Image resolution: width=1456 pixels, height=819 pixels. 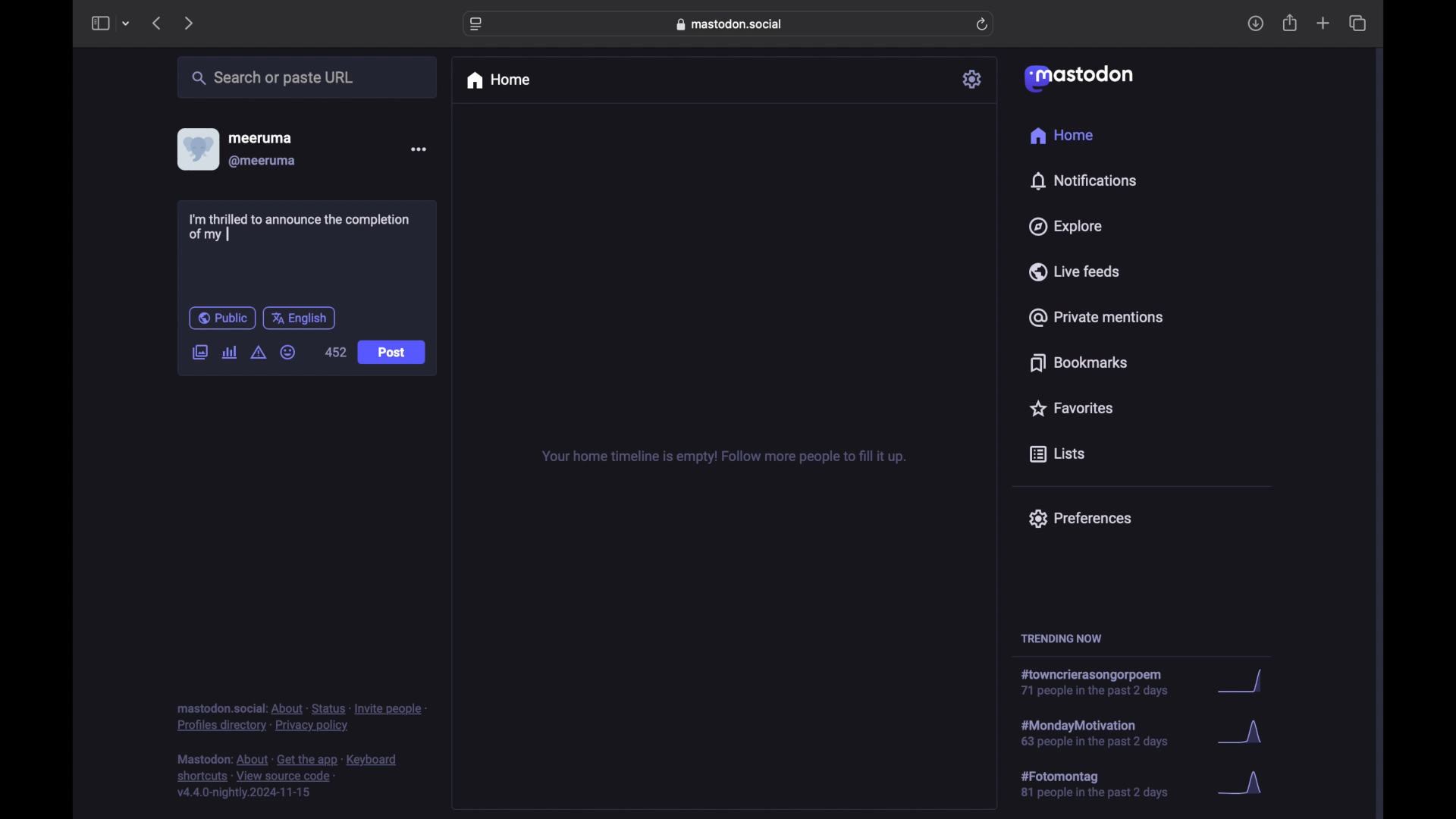 I want to click on 452, so click(x=335, y=352).